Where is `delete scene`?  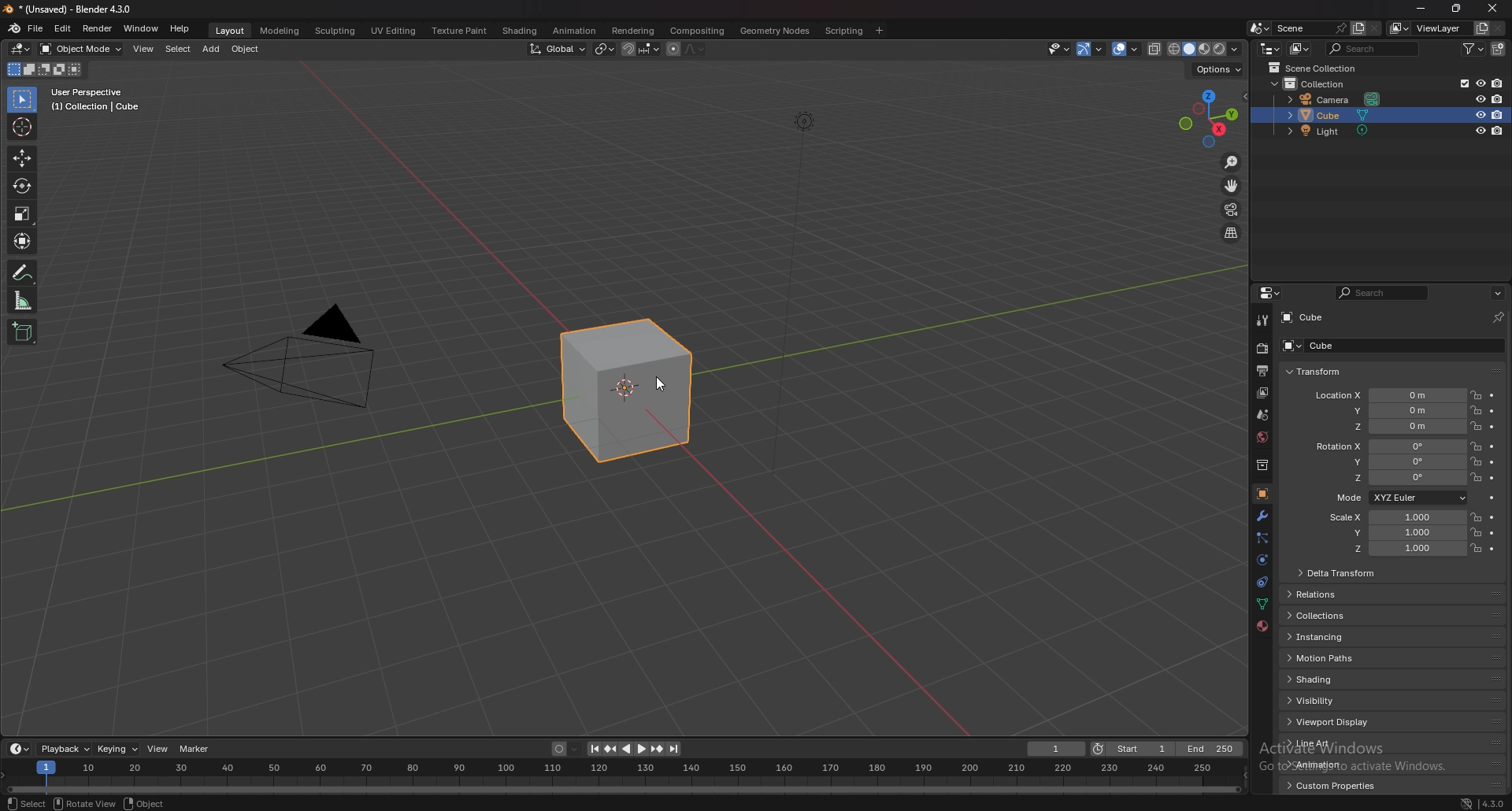 delete scene is located at coordinates (1375, 29).